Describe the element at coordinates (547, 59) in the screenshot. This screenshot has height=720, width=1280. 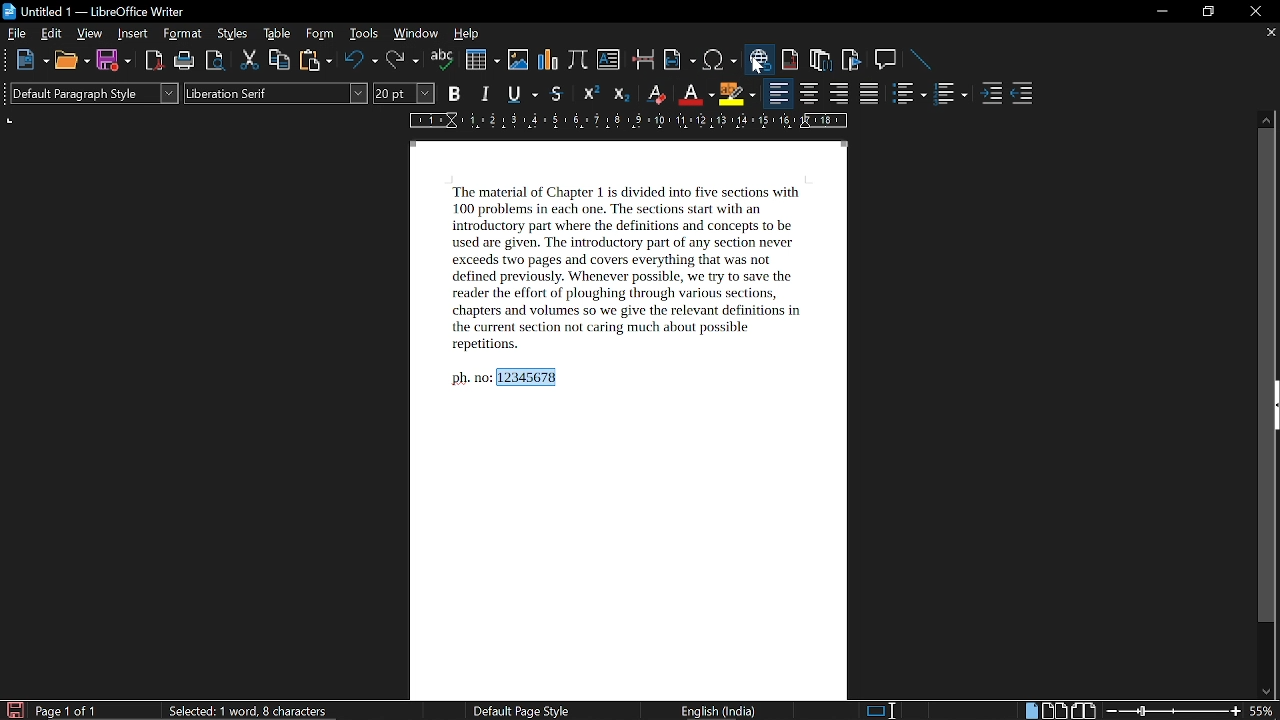
I see `insert chart` at that location.